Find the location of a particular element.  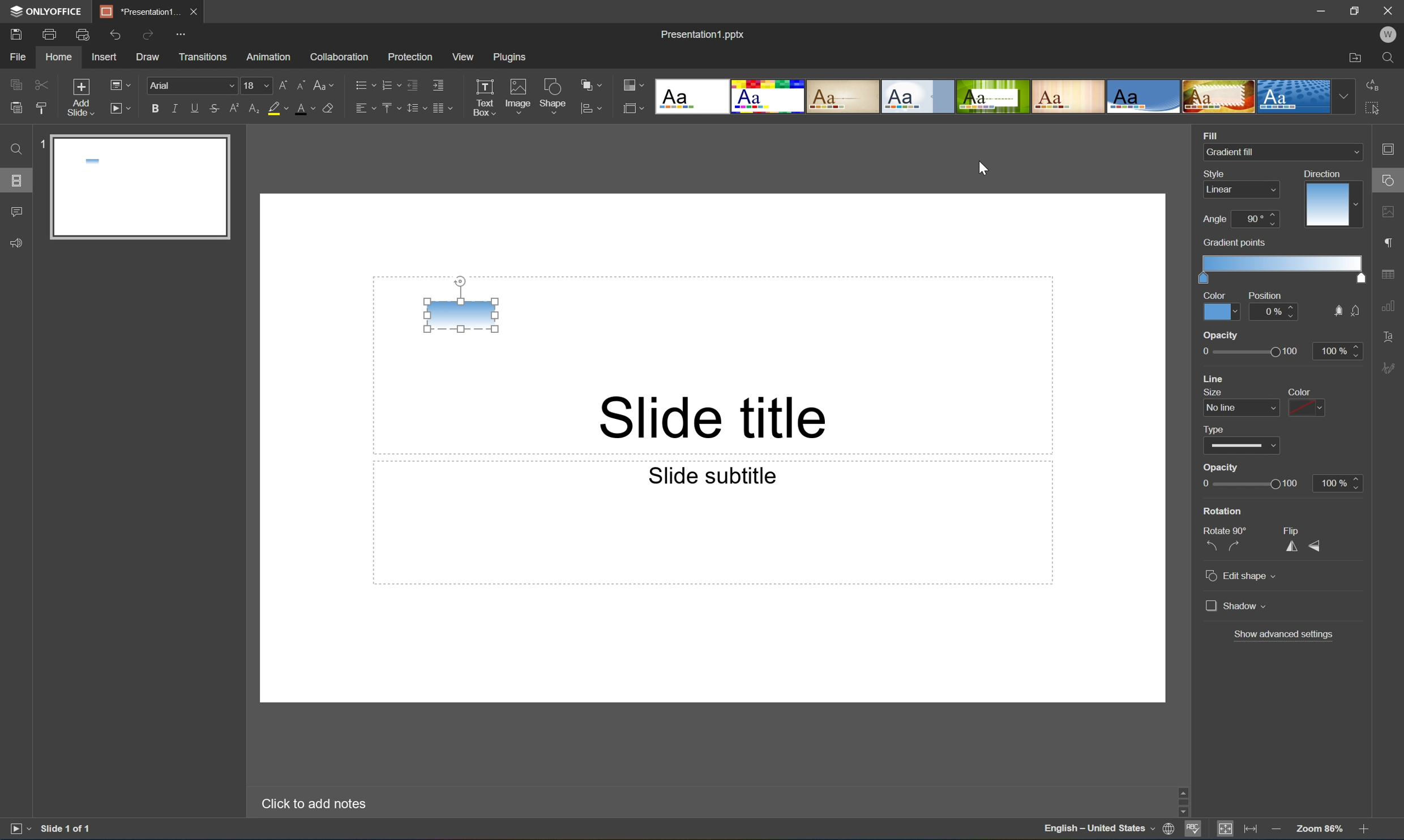

Find is located at coordinates (14, 149).